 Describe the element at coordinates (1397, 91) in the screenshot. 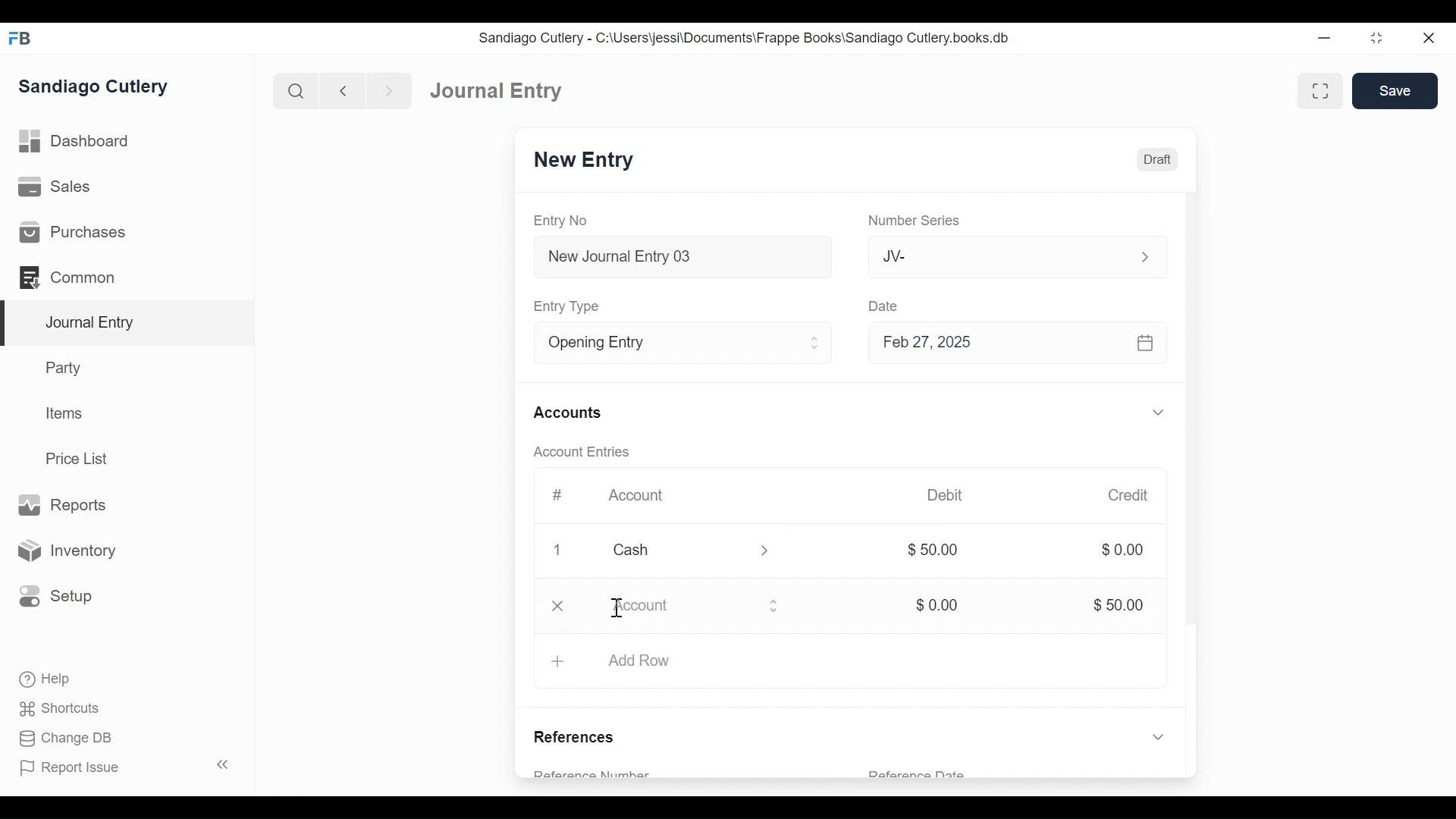

I see `Save` at that location.